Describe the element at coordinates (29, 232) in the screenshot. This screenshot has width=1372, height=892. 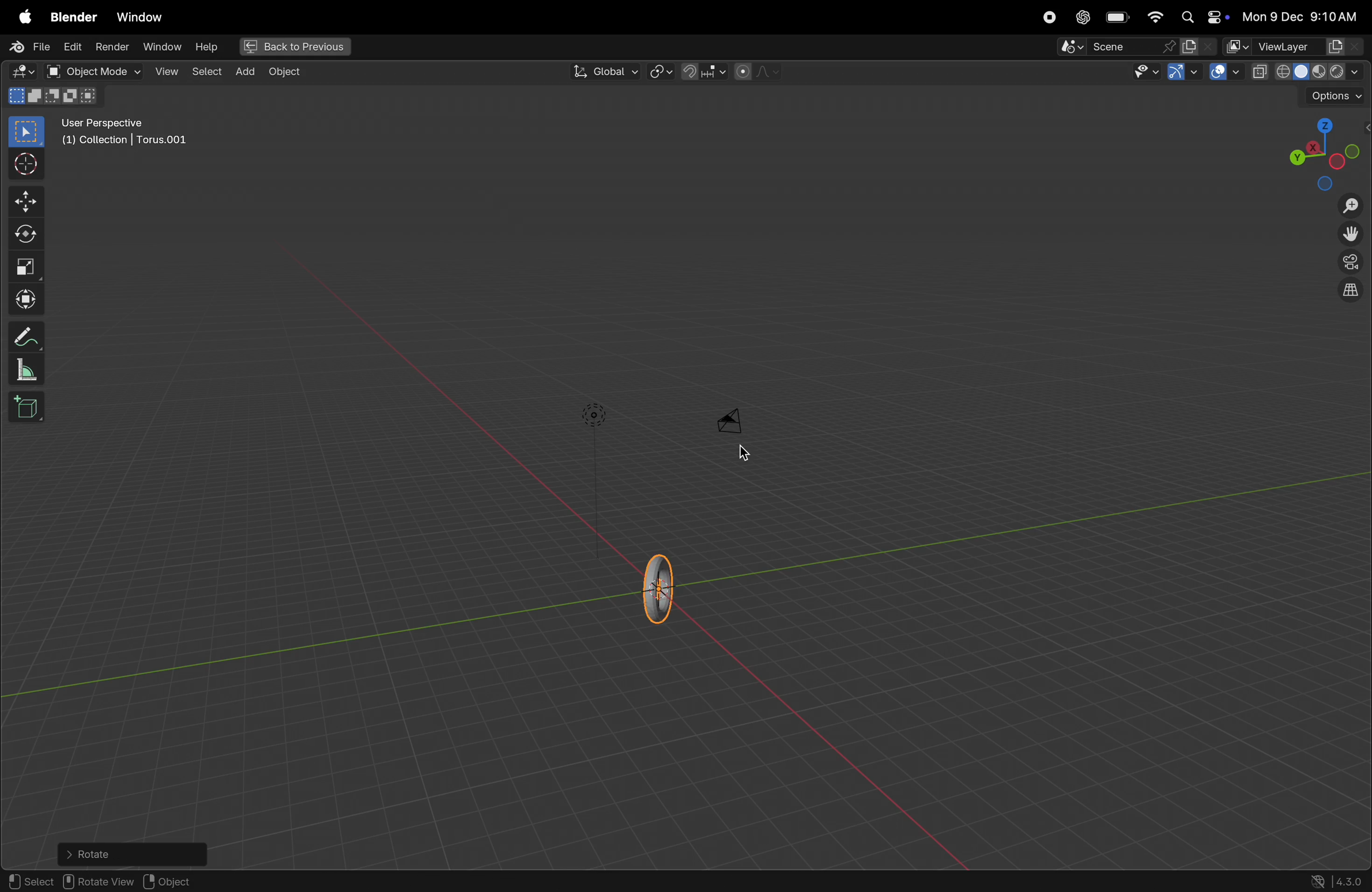
I see `rotate ` at that location.